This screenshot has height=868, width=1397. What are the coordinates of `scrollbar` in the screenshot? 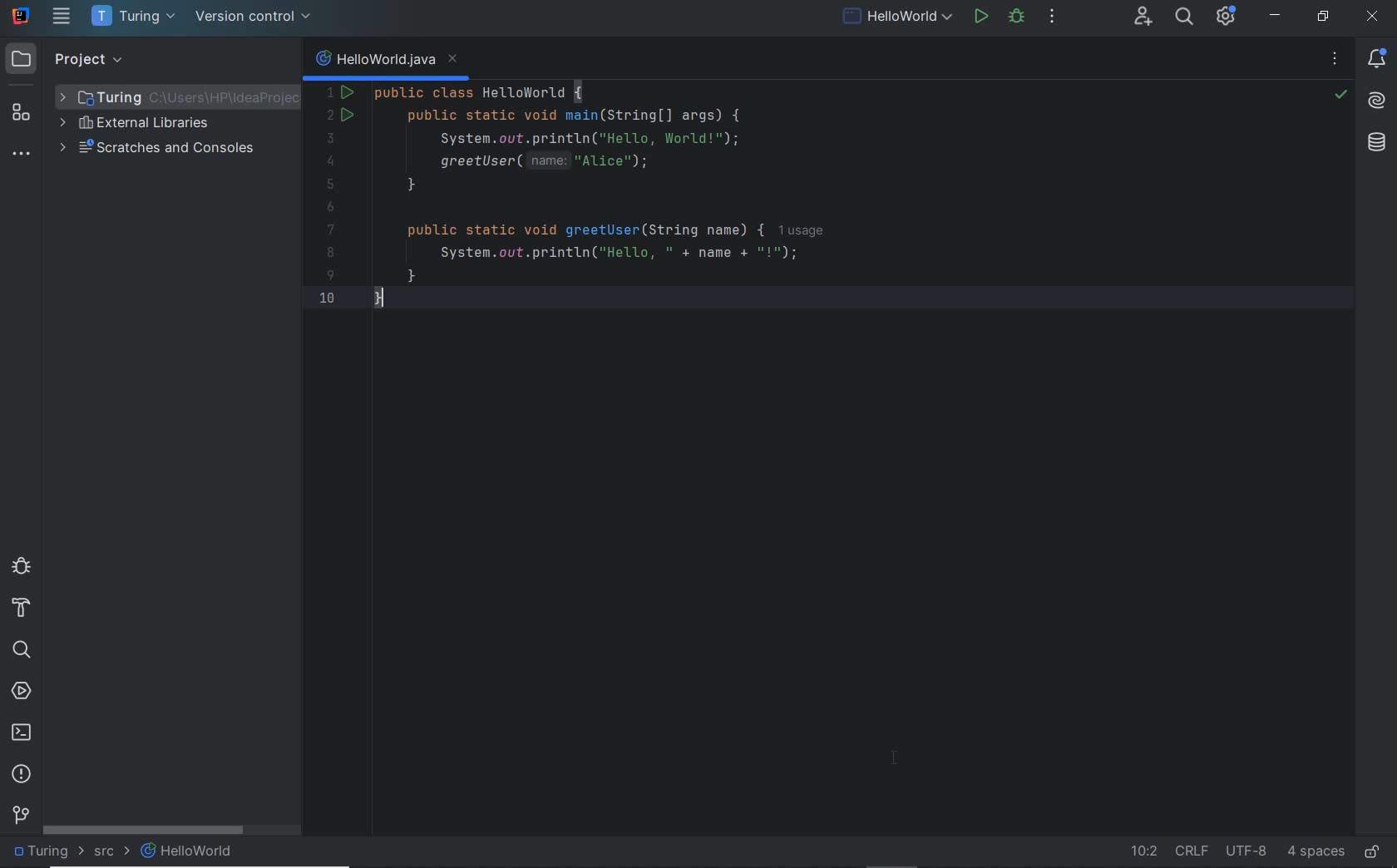 It's located at (144, 830).